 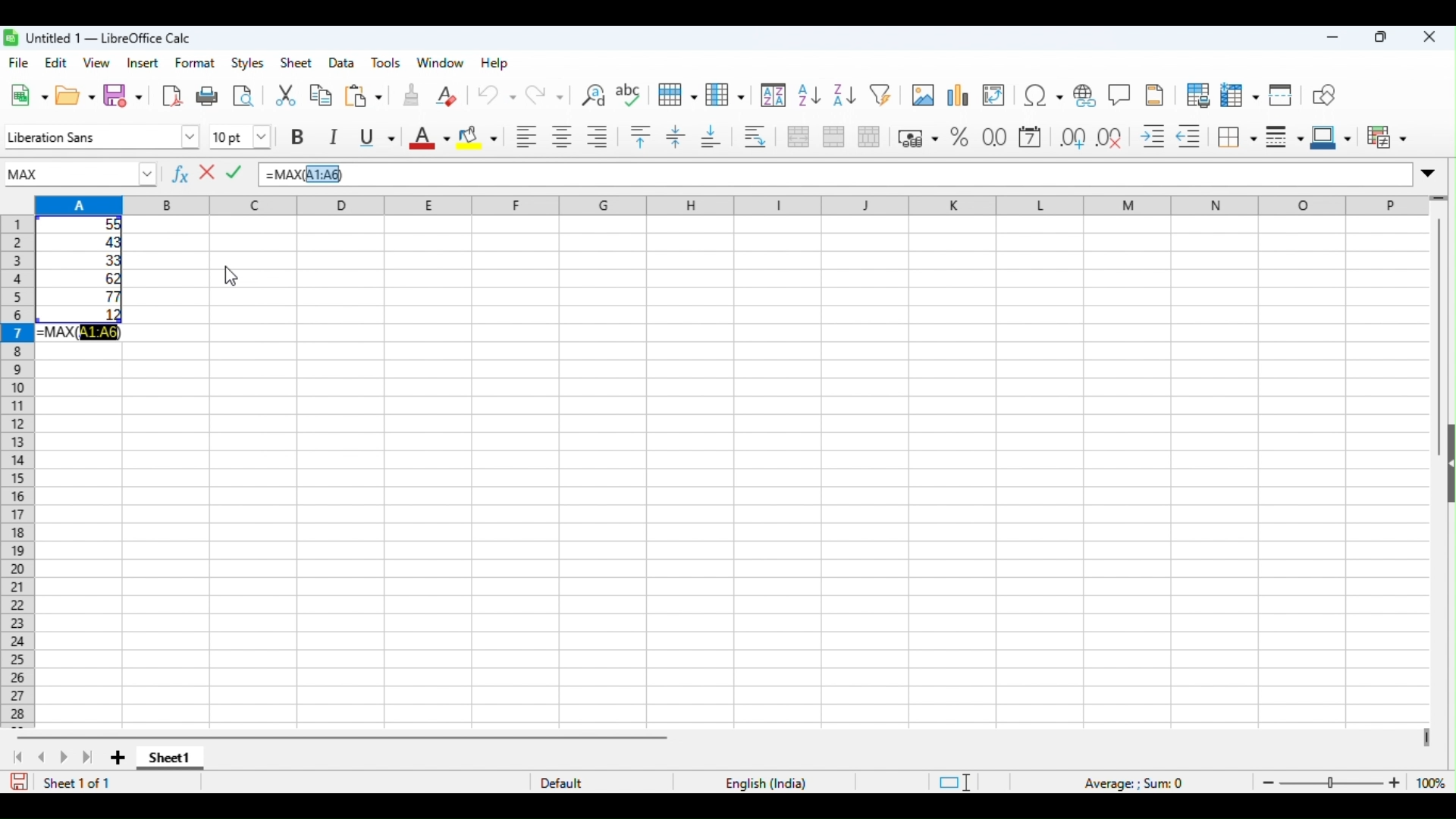 What do you see at coordinates (410, 94) in the screenshot?
I see `clone` at bounding box center [410, 94].